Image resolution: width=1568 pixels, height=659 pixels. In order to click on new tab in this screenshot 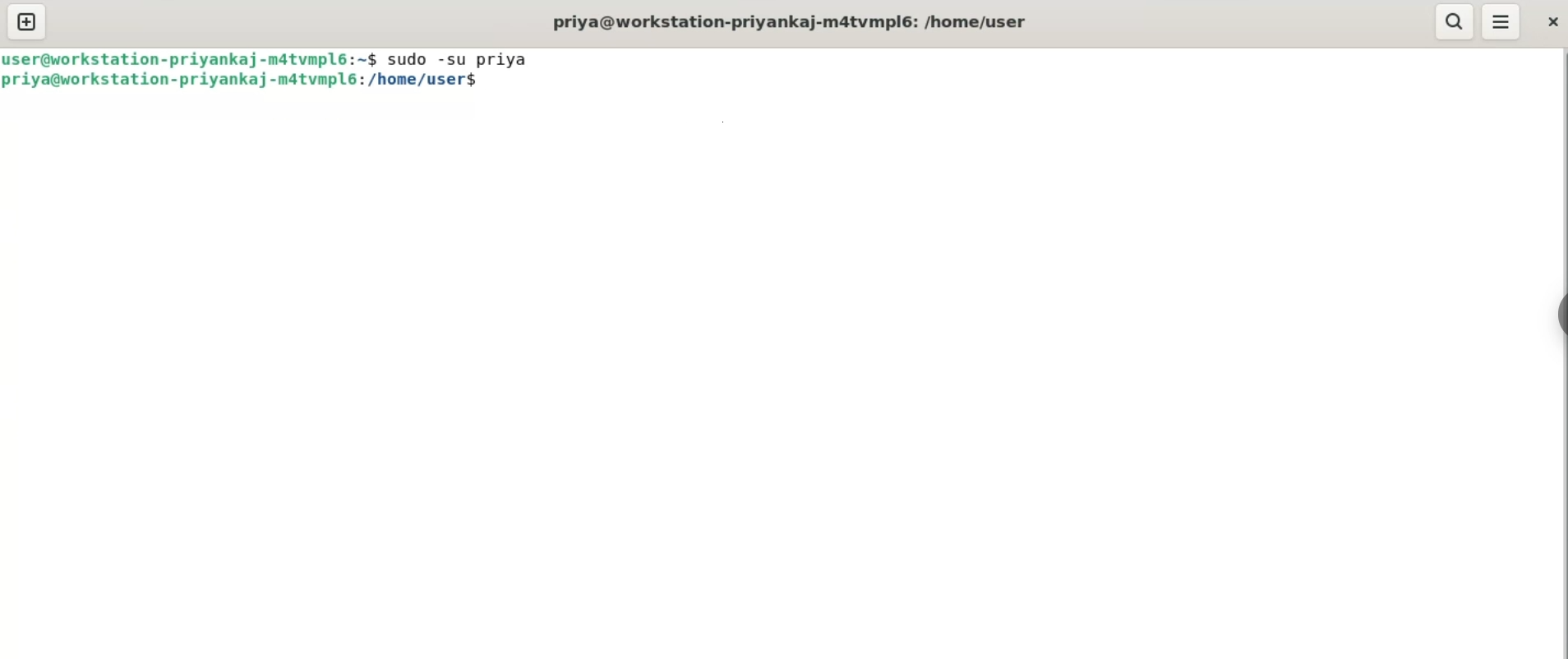, I will do `click(25, 21)`.